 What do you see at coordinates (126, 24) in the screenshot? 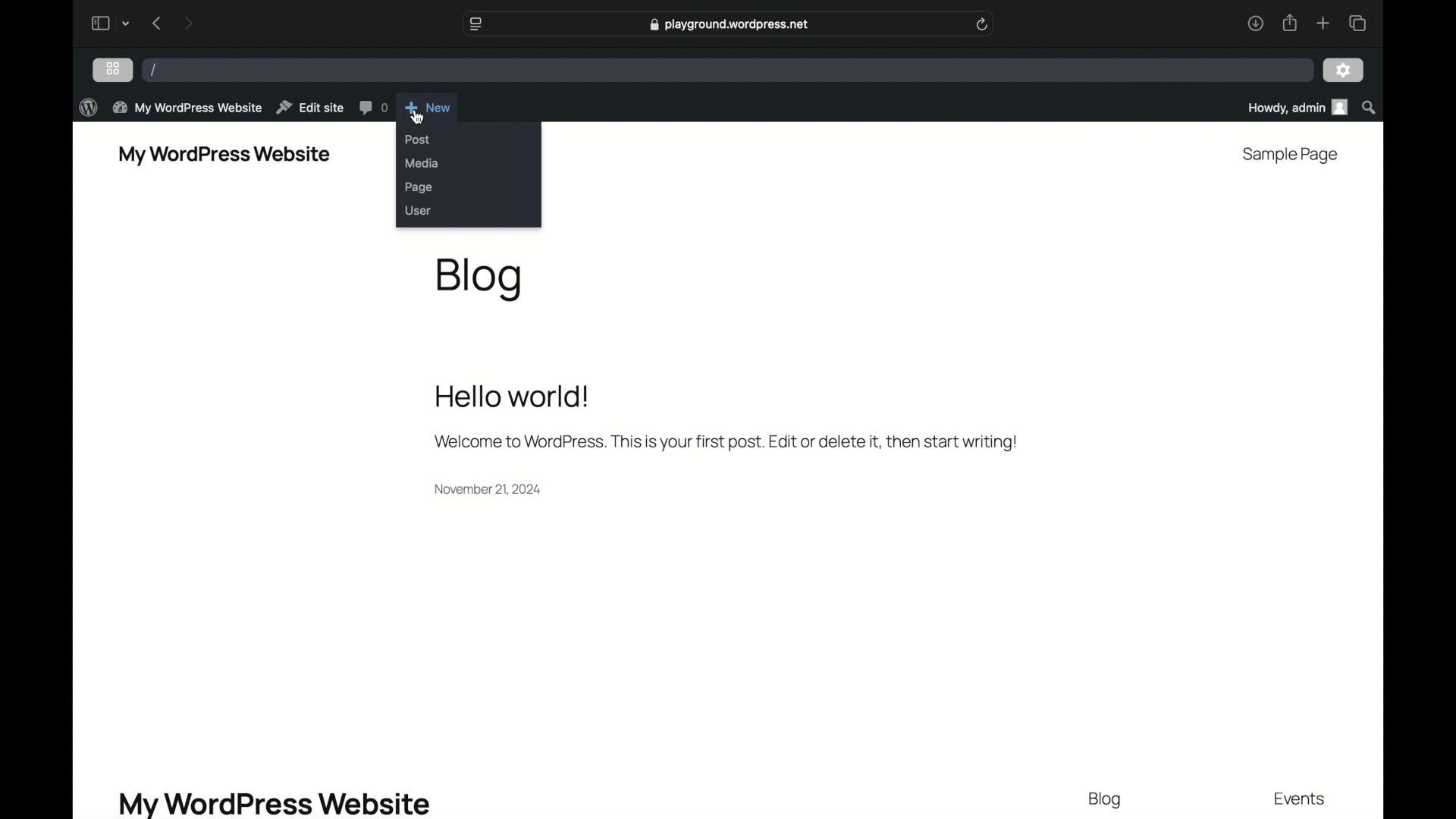
I see `tab group picker` at bounding box center [126, 24].